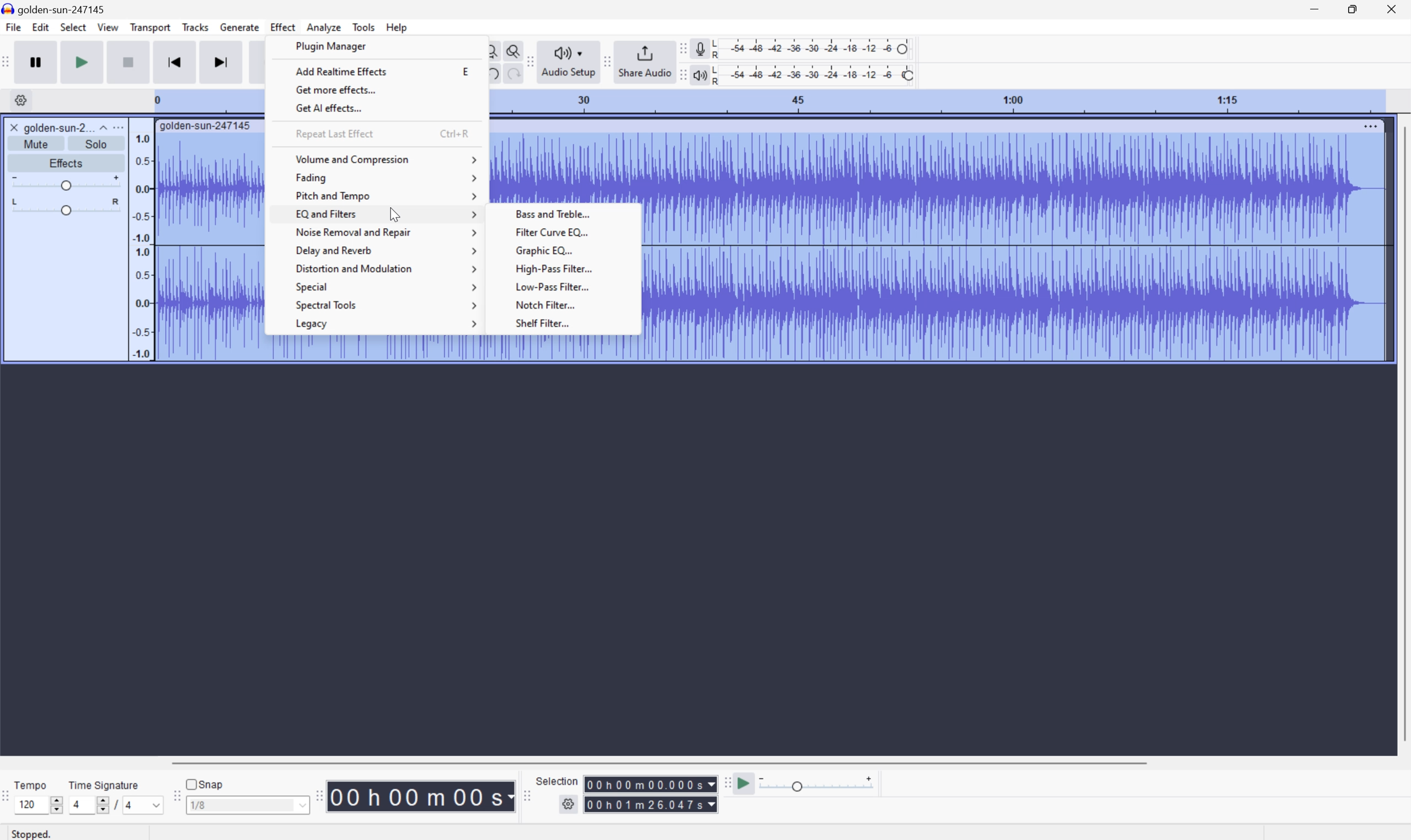 The image size is (1411, 840). I want to click on Audacity share audio toolbar, so click(608, 61).